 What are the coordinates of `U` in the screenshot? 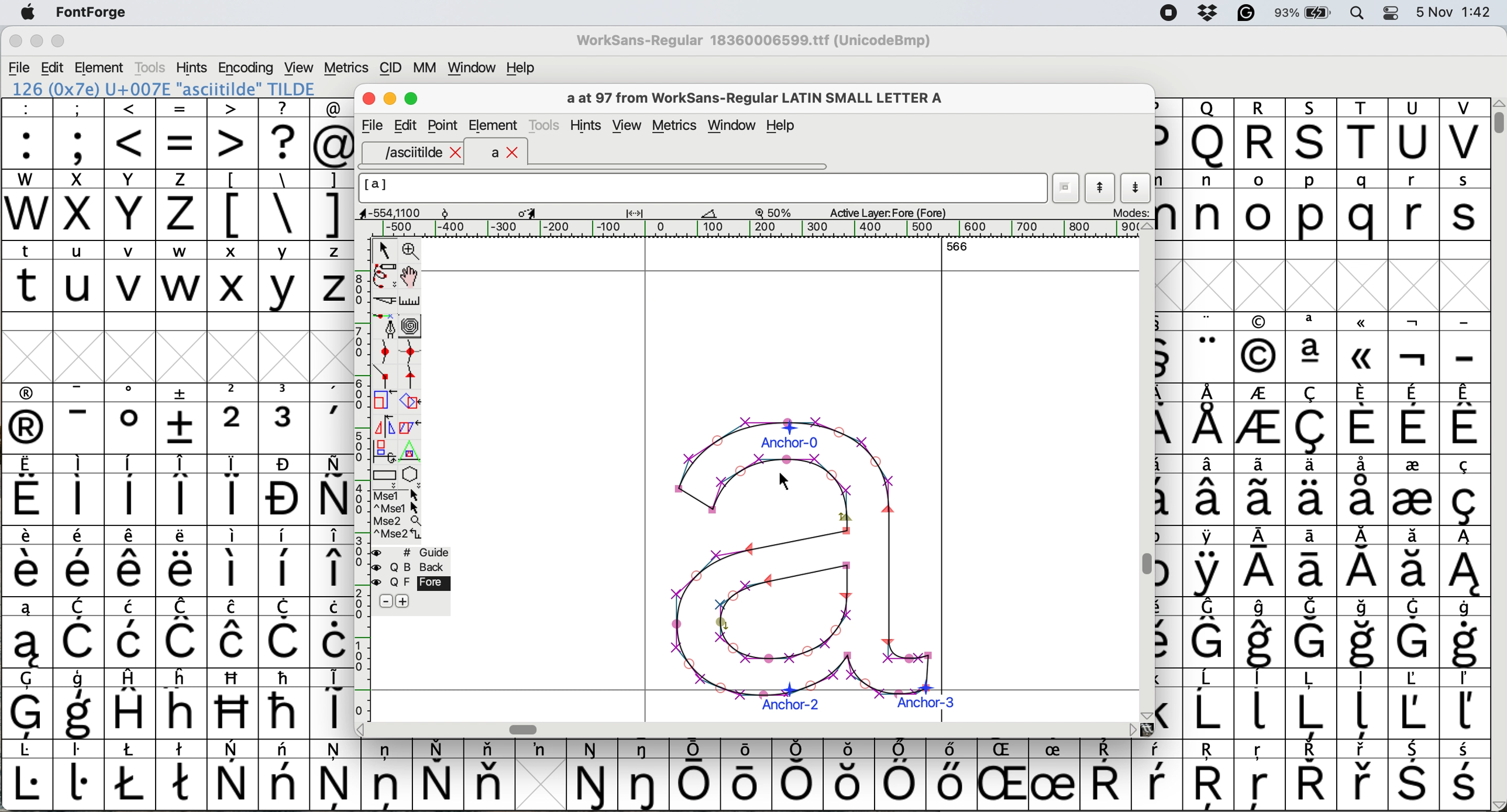 It's located at (1413, 134).